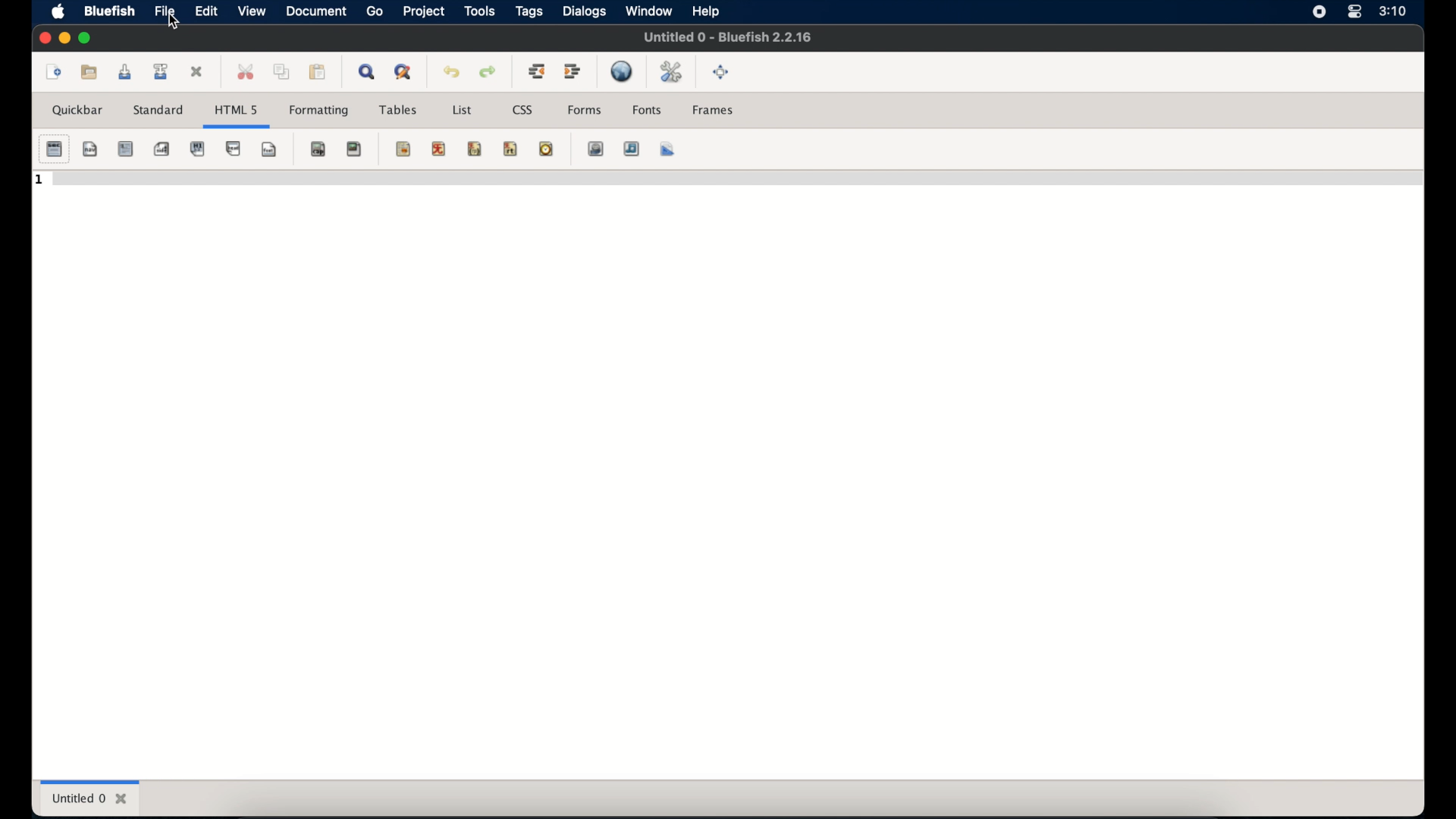  I want to click on edit, so click(206, 11).